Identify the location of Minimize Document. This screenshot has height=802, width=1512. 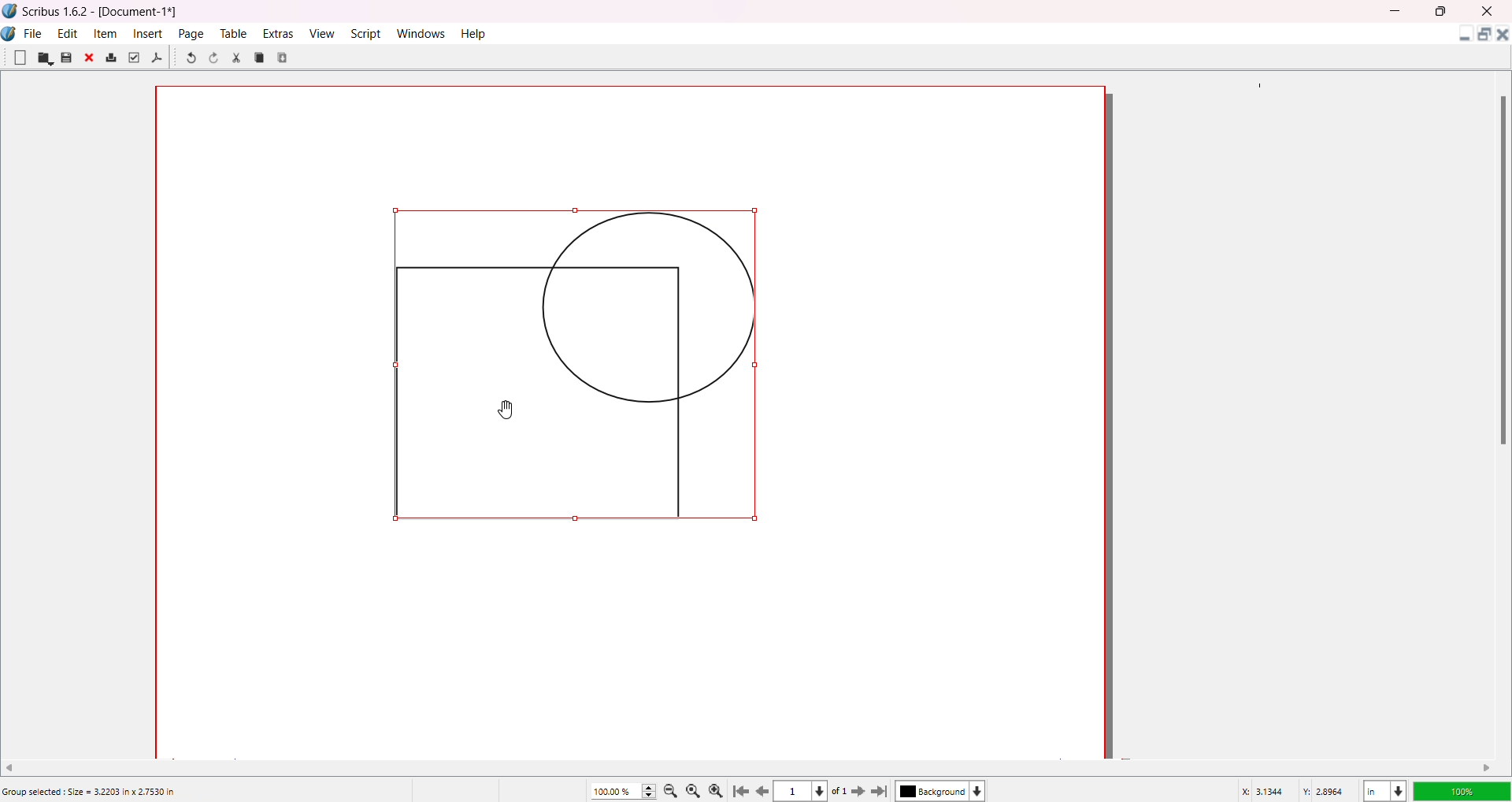
(1461, 37).